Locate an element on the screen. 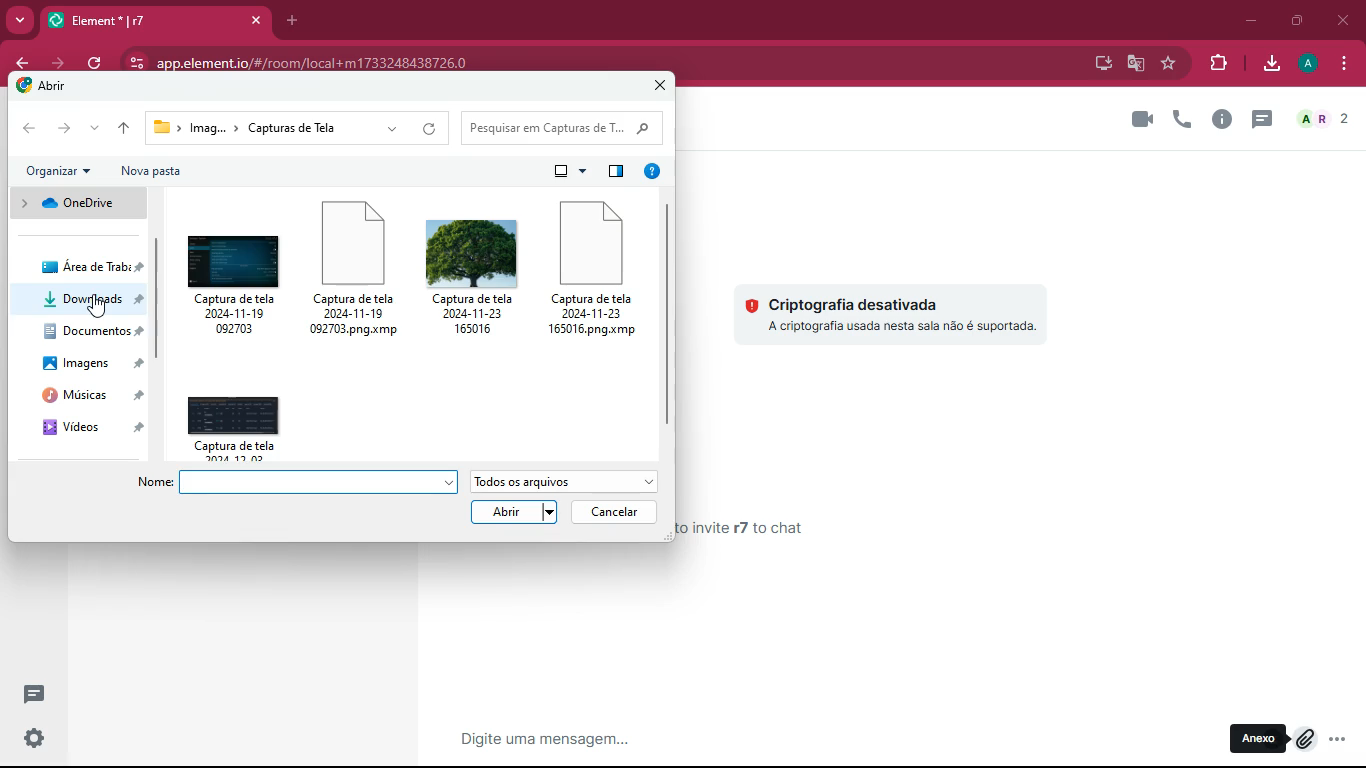 The height and width of the screenshot is (768, 1366). organizar is located at coordinates (60, 173).